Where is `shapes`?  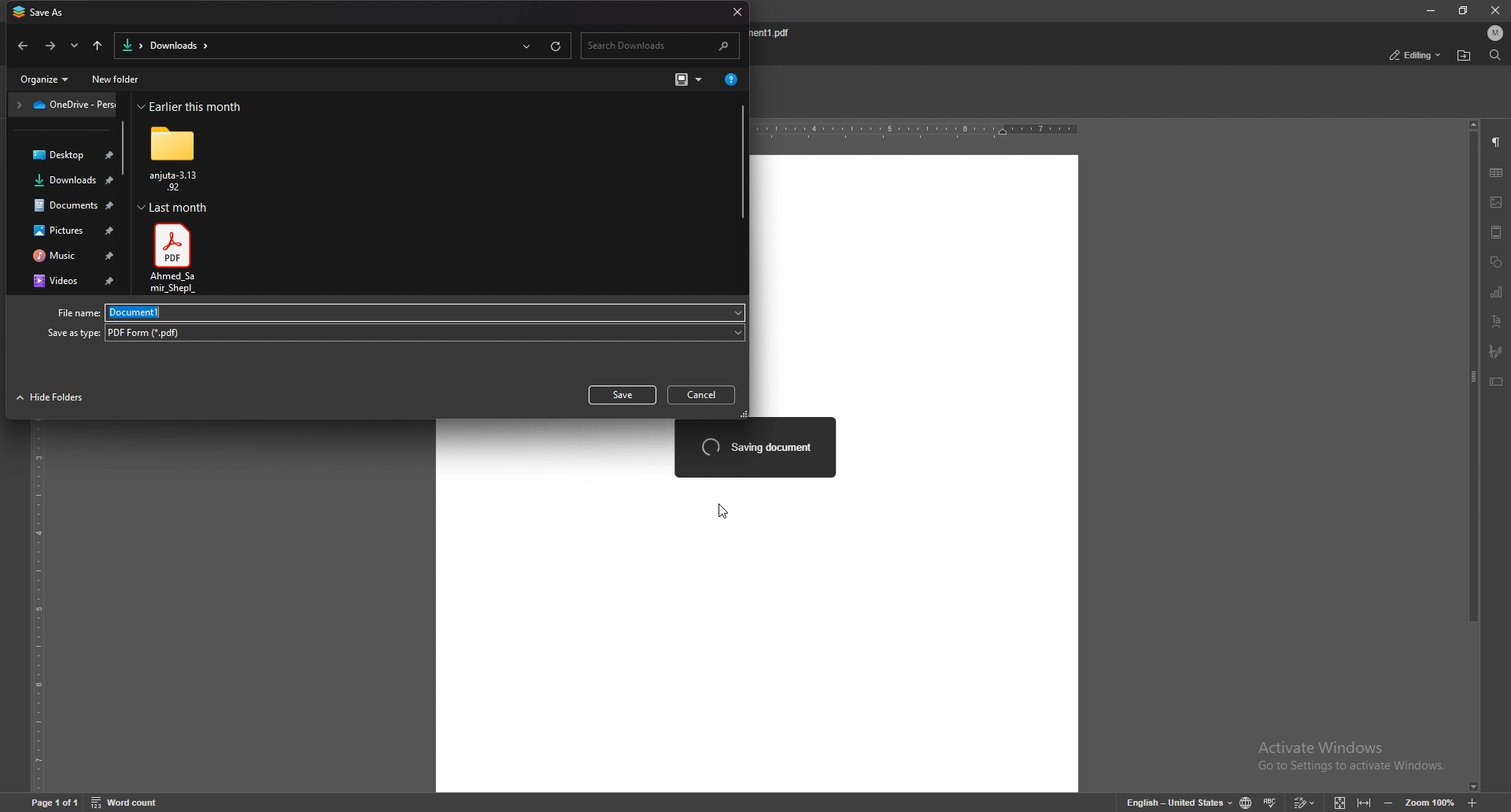 shapes is located at coordinates (1496, 262).